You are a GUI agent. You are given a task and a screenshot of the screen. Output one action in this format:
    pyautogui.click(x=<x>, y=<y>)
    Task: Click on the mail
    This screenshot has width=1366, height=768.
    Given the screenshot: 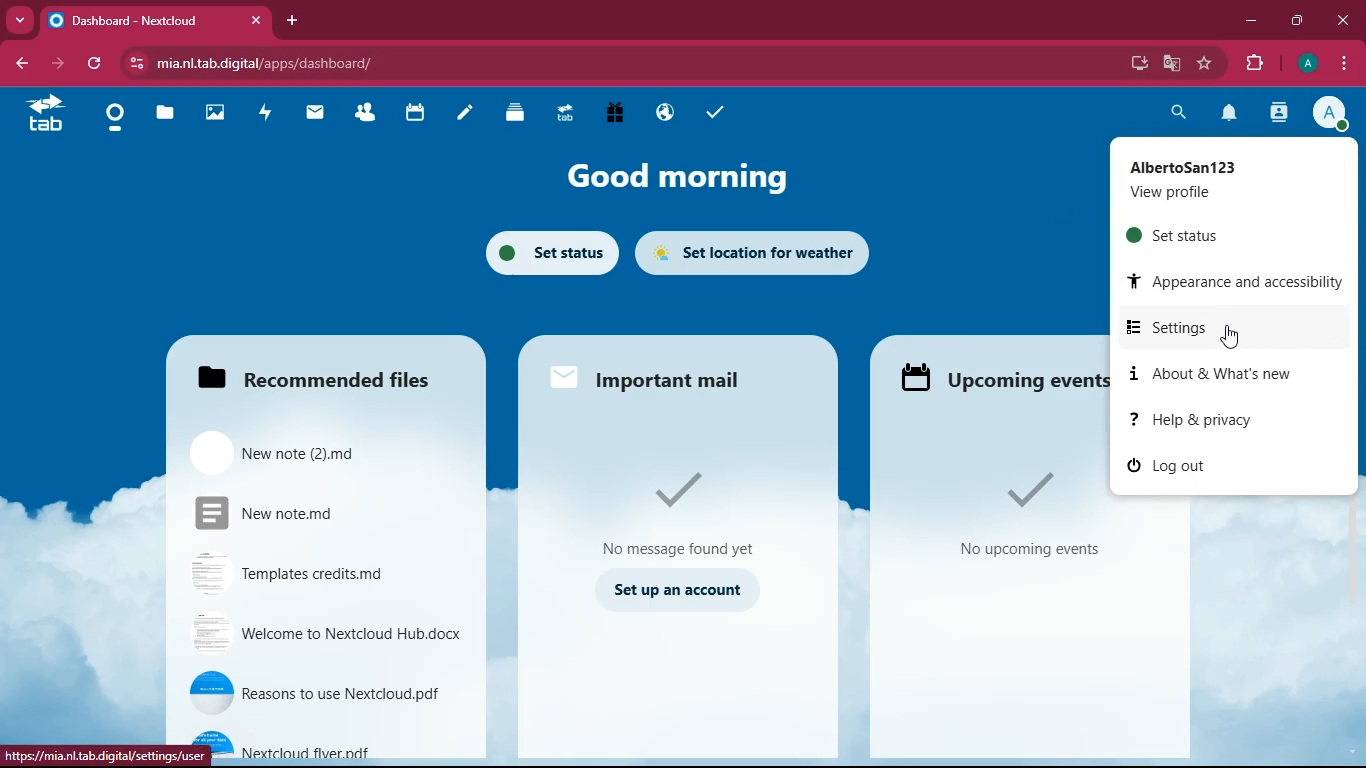 What is the action you would take?
    pyautogui.click(x=315, y=114)
    